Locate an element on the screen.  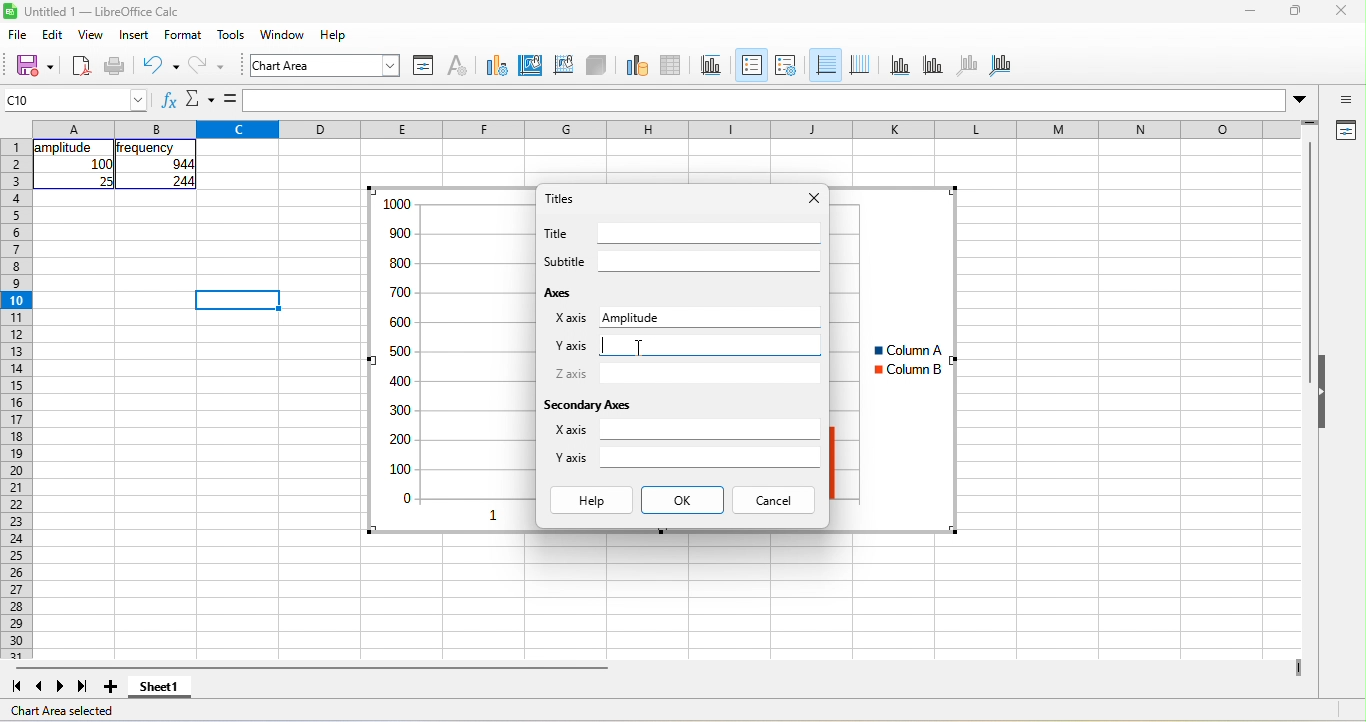
minimize is located at coordinates (1250, 10).